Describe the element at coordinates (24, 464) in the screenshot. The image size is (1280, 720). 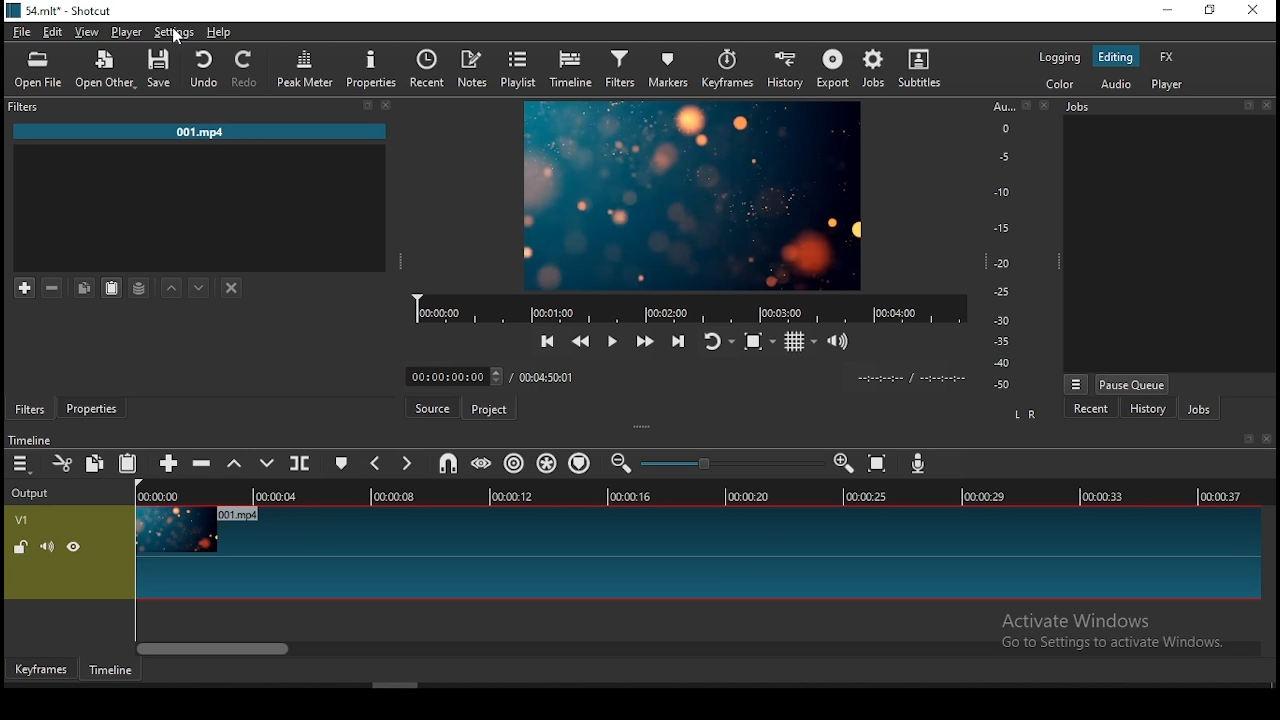
I see `timeline menu` at that location.